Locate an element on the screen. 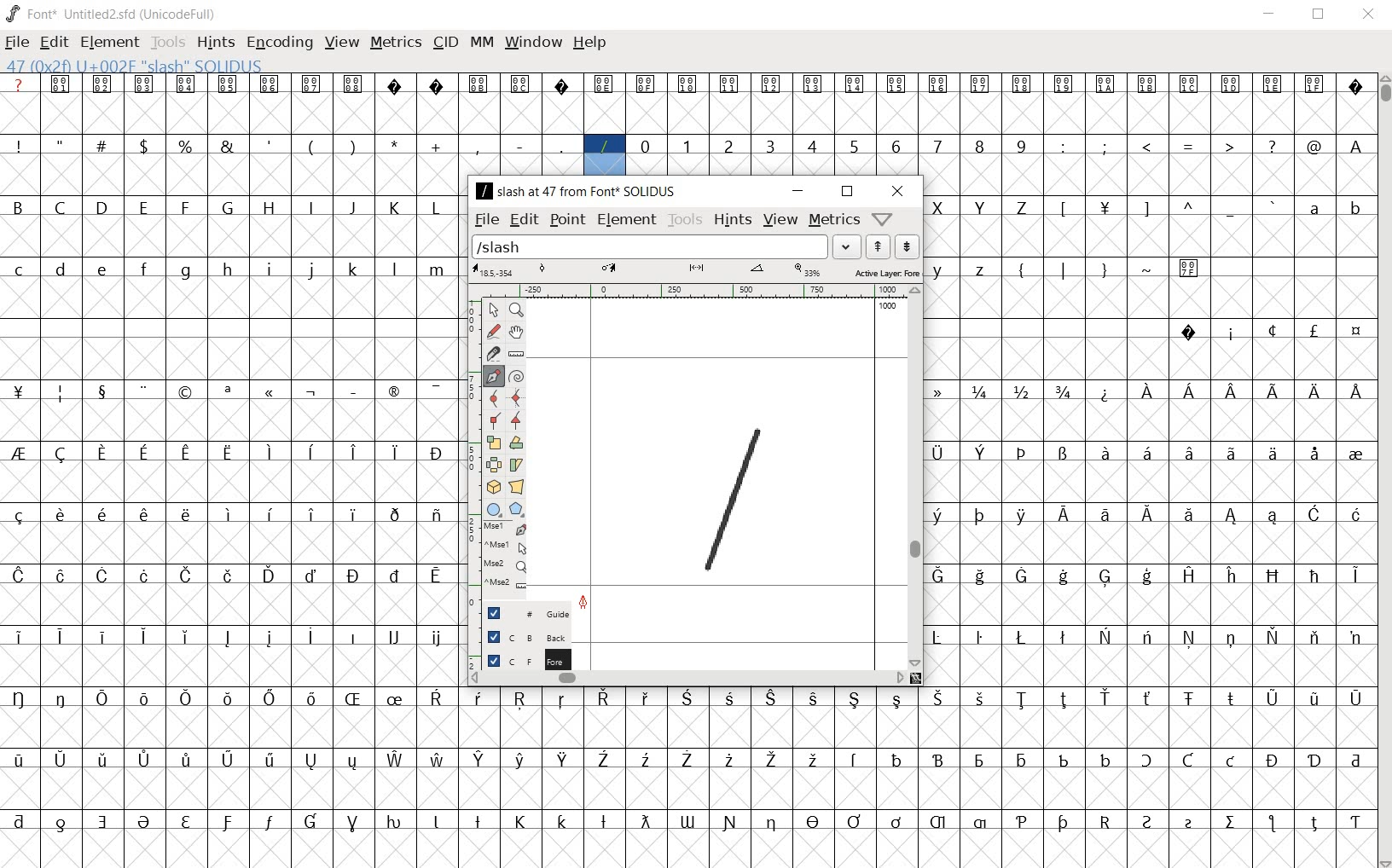  Magnify is located at coordinates (515, 310).